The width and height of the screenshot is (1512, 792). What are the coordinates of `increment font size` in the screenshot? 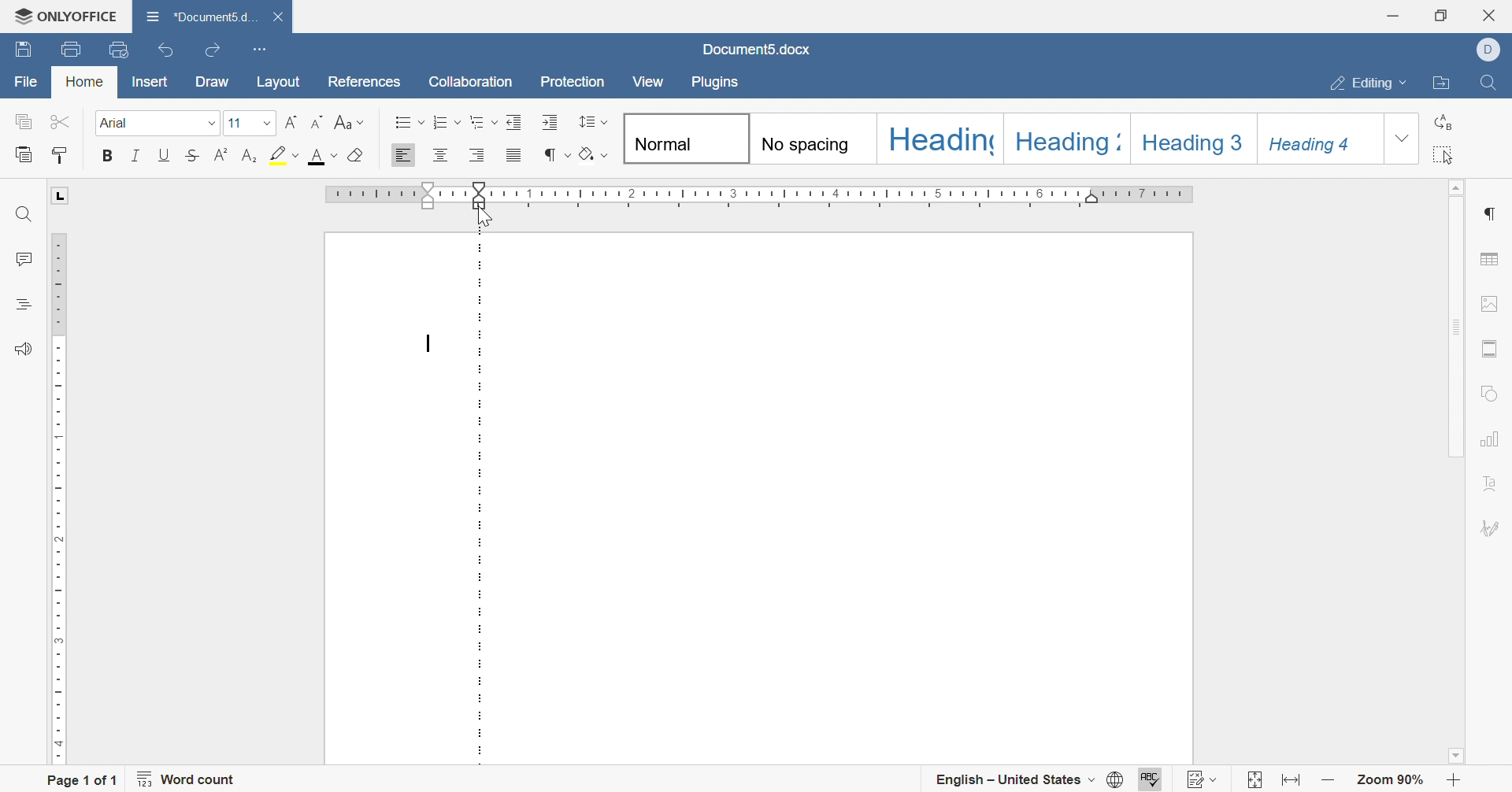 It's located at (291, 120).